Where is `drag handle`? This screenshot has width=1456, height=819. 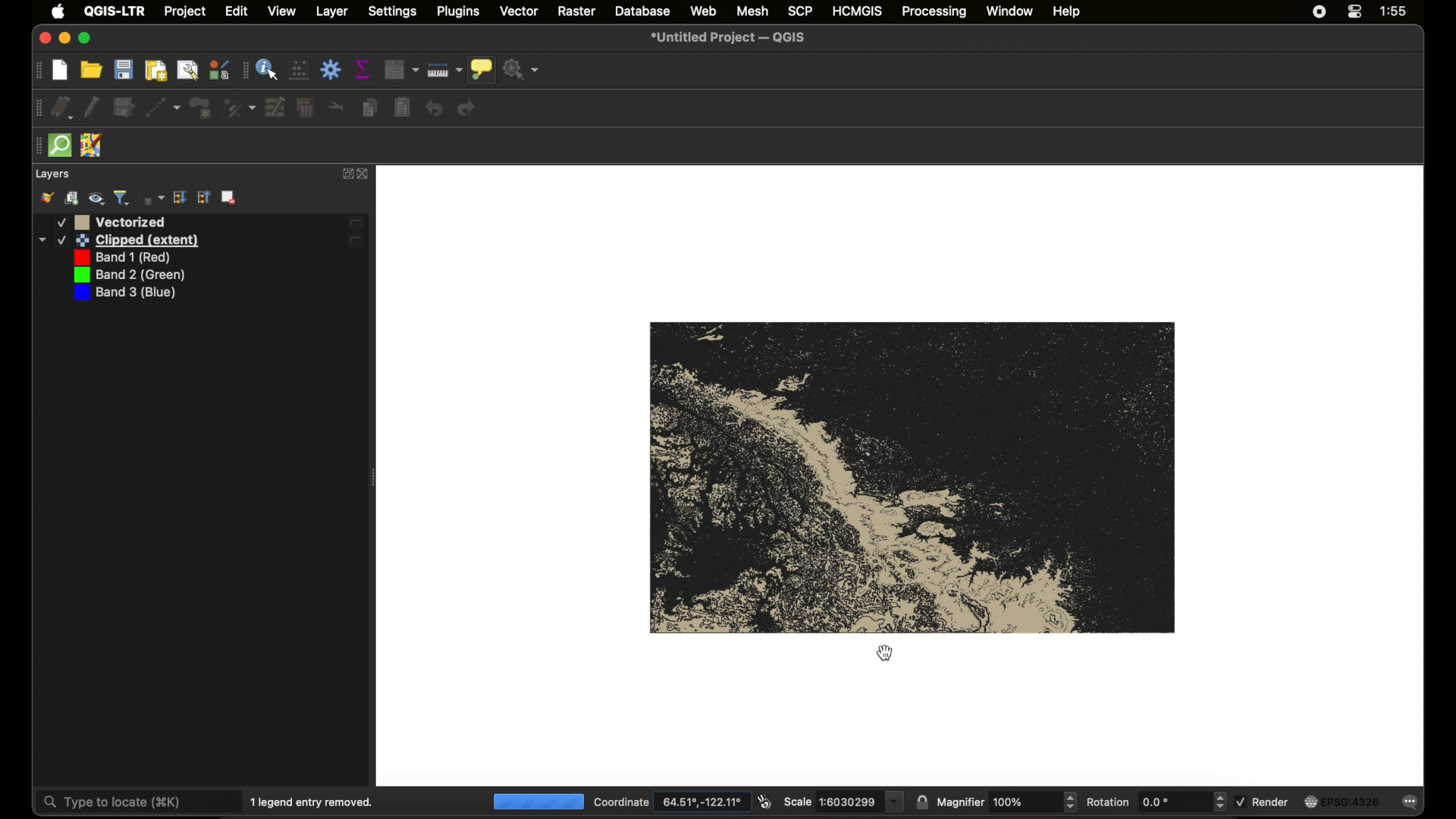 drag handle is located at coordinates (243, 71).